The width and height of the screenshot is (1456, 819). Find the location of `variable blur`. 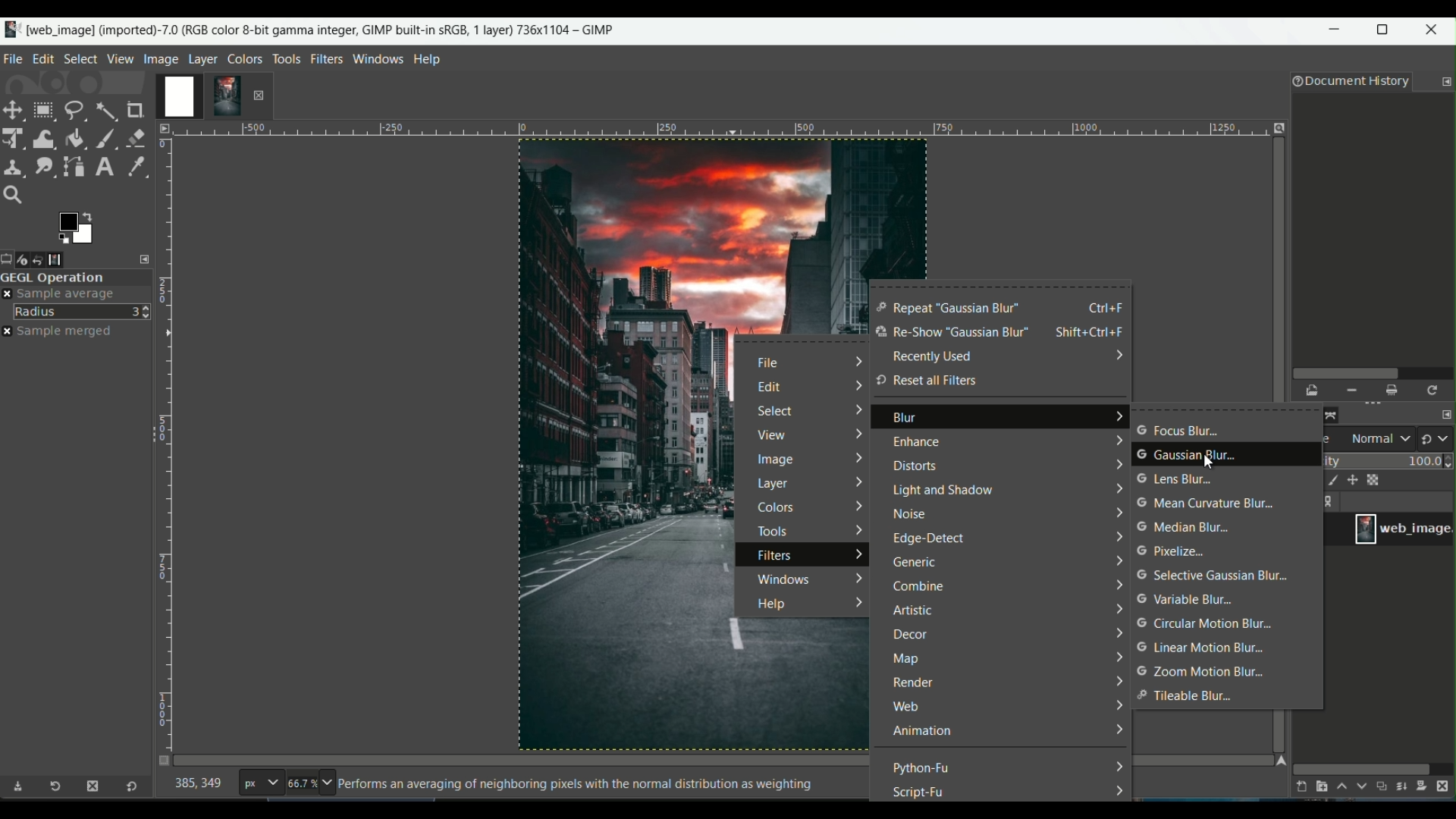

variable blur is located at coordinates (1184, 600).